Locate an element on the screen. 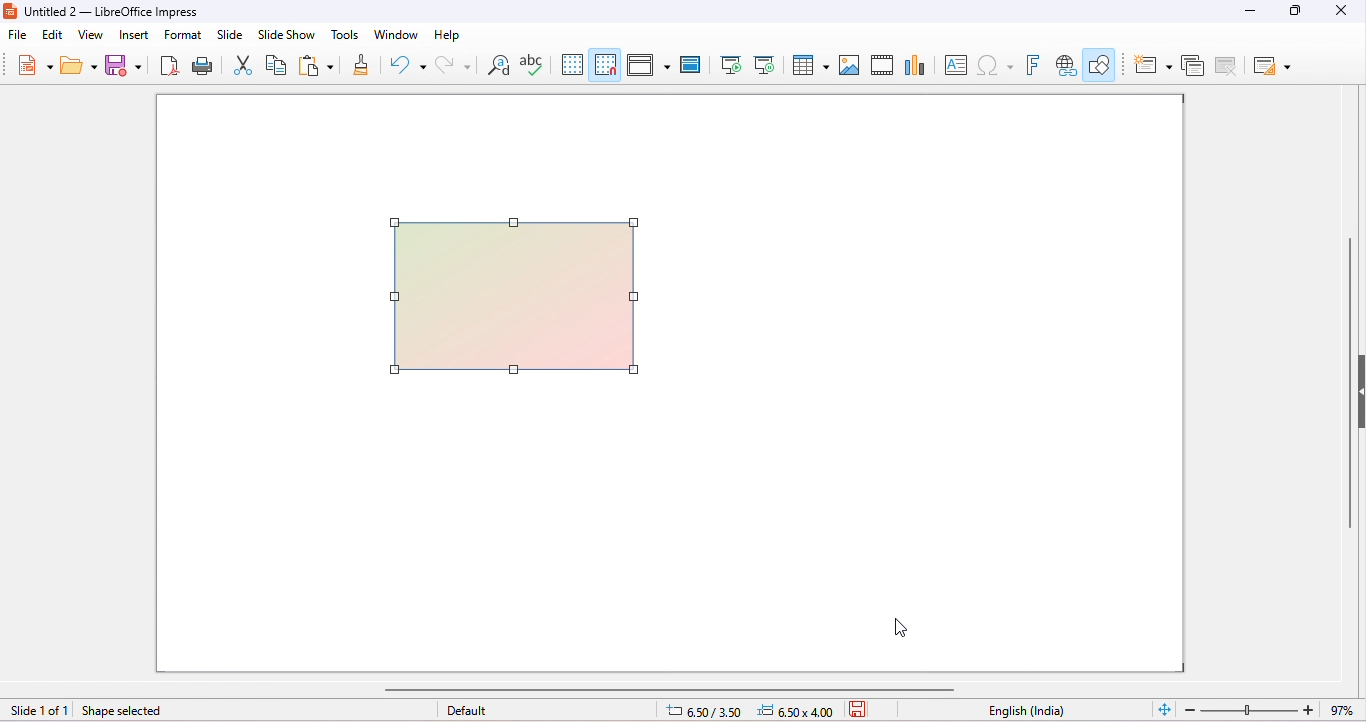 The height and width of the screenshot is (722, 1366). cut is located at coordinates (243, 64).